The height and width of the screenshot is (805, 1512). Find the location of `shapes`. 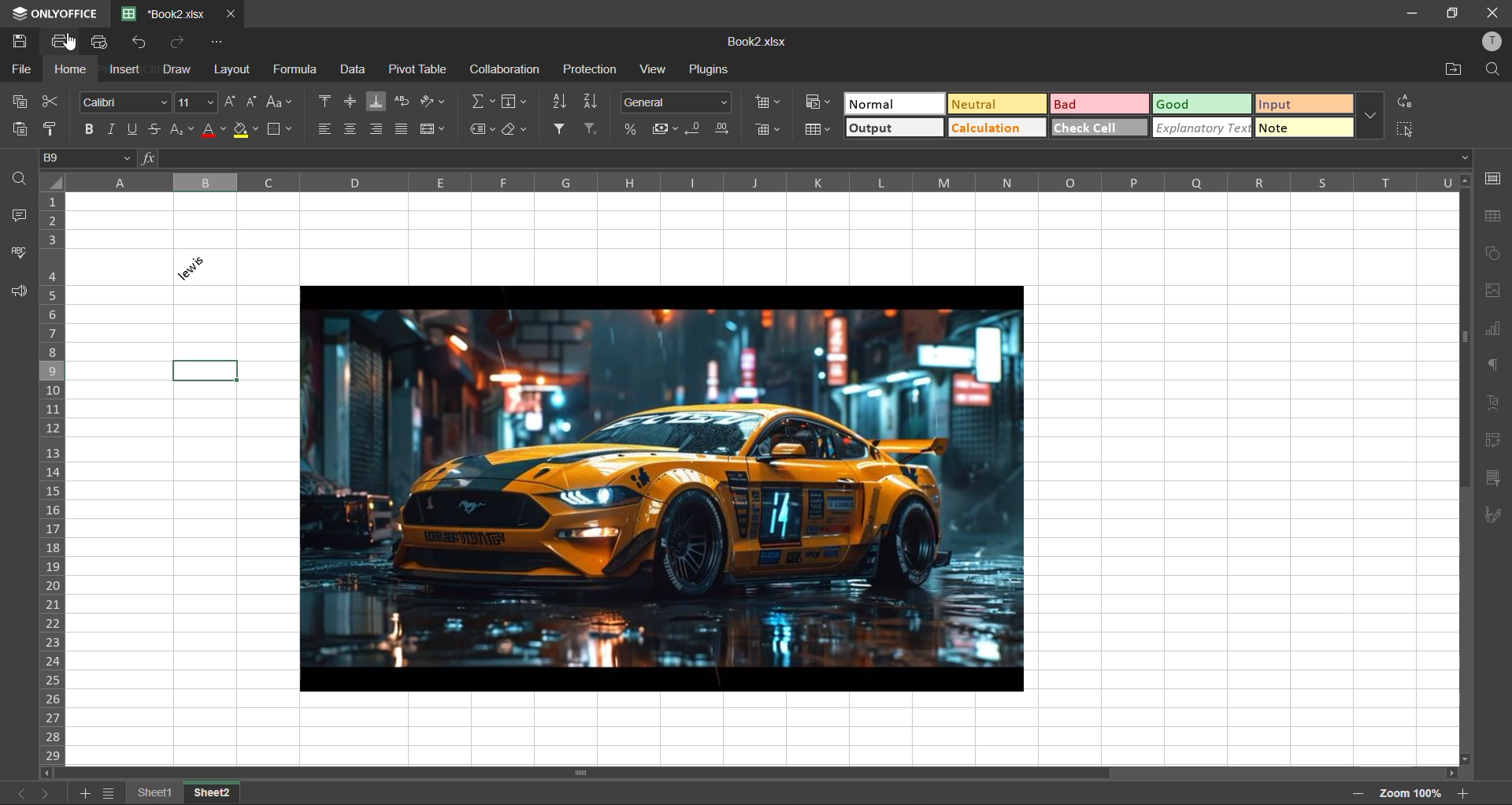

shapes is located at coordinates (1492, 252).